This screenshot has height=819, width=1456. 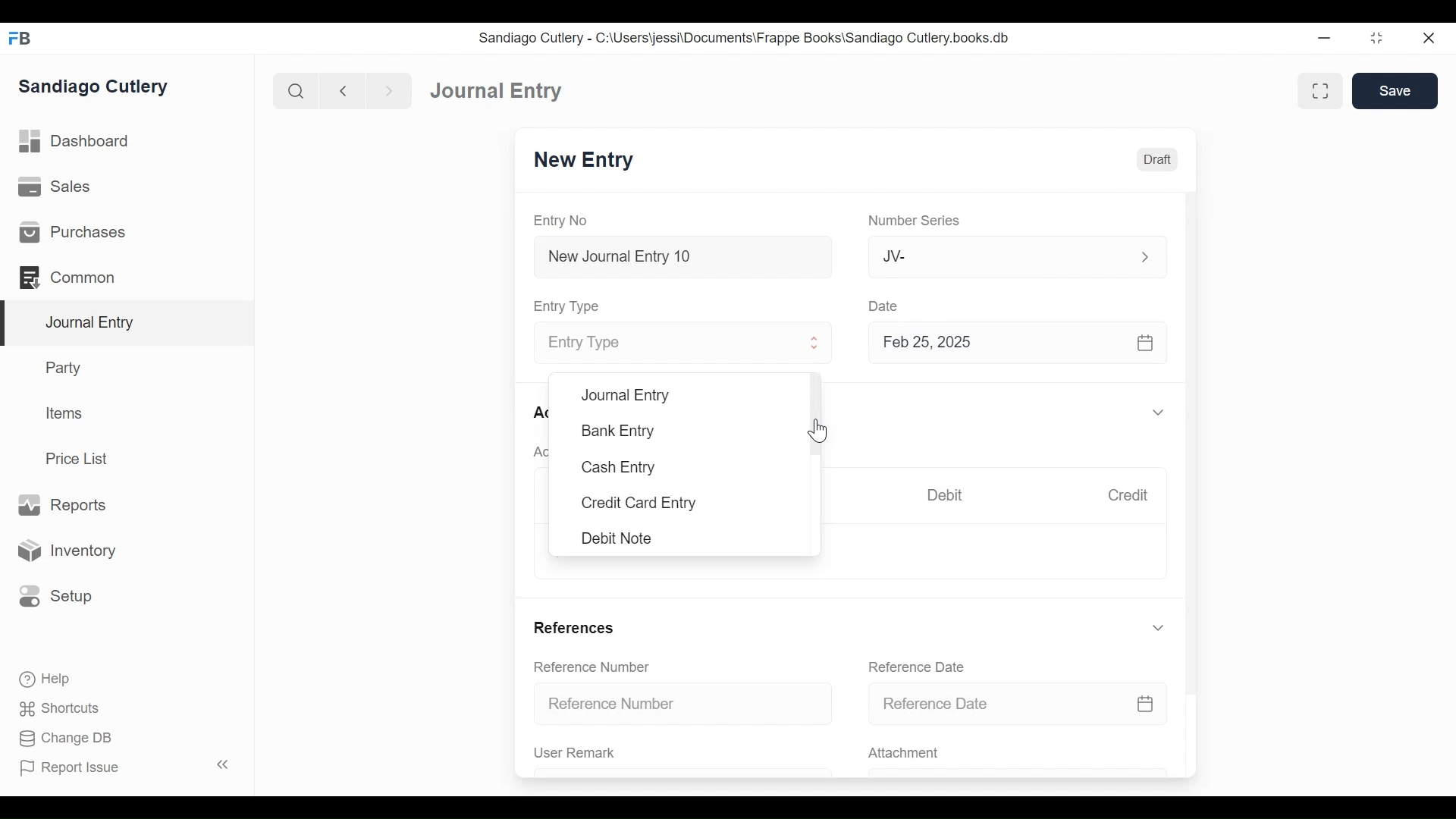 I want to click on Inventory, so click(x=71, y=550).